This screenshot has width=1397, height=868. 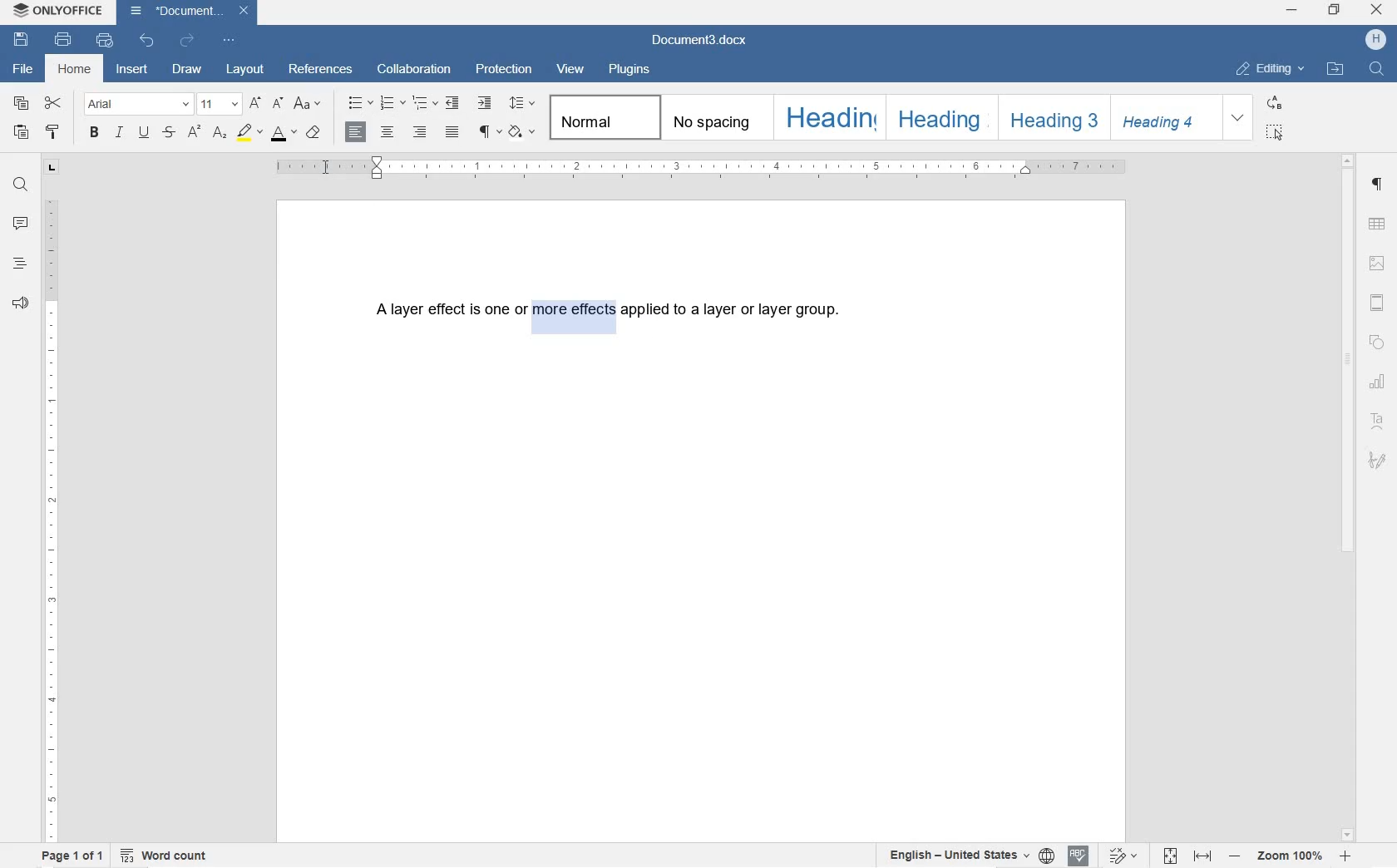 What do you see at coordinates (452, 104) in the screenshot?
I see `DECREASE INDENT` at bounding box center [452, 104].